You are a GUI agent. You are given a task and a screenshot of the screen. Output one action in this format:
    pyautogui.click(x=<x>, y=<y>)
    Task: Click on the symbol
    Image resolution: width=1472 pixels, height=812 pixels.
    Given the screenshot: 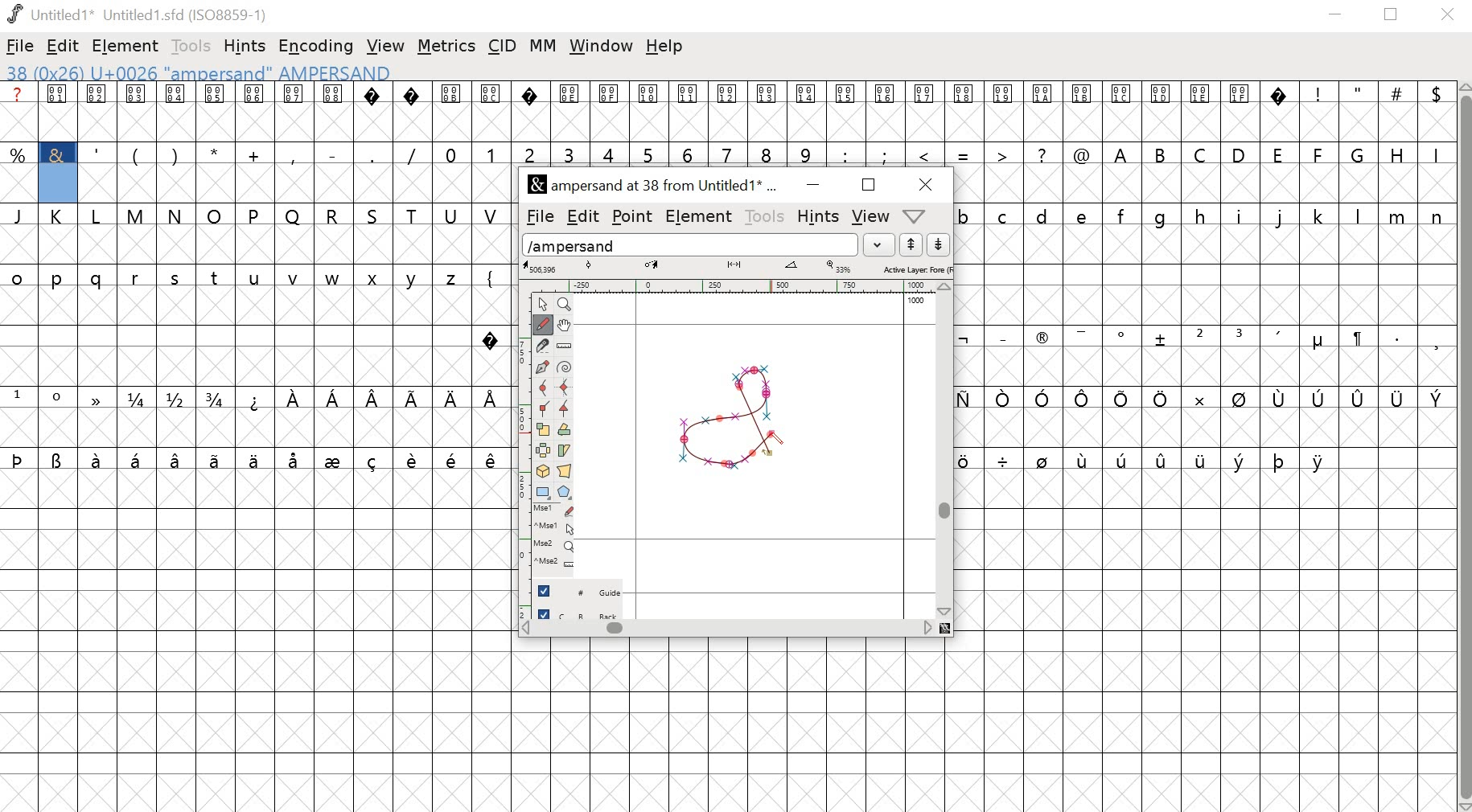 What is the action you would take?
    pyautogui.click(x=294, y=399)
    